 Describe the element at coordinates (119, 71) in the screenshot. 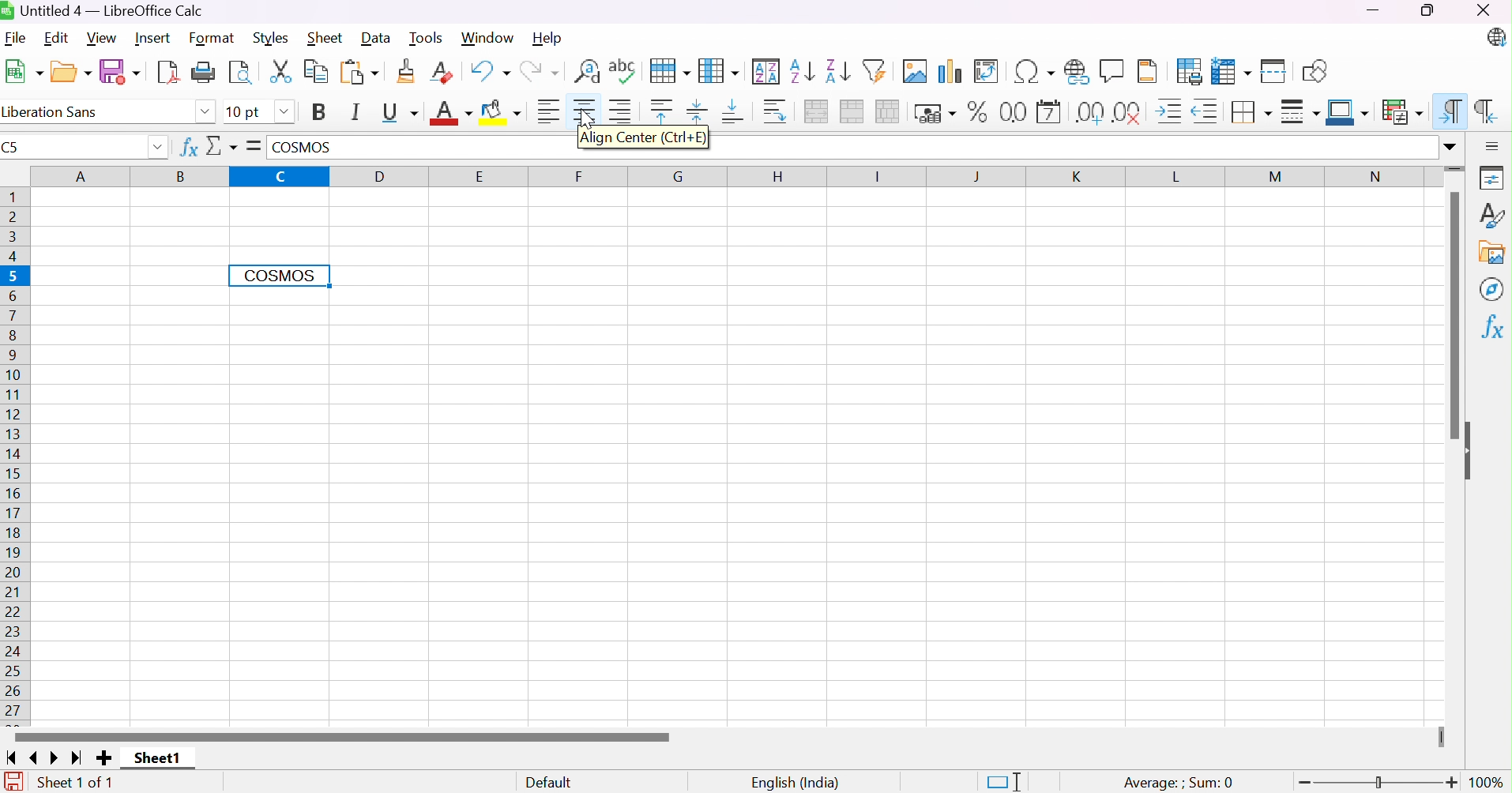

I see `Save` at that location.